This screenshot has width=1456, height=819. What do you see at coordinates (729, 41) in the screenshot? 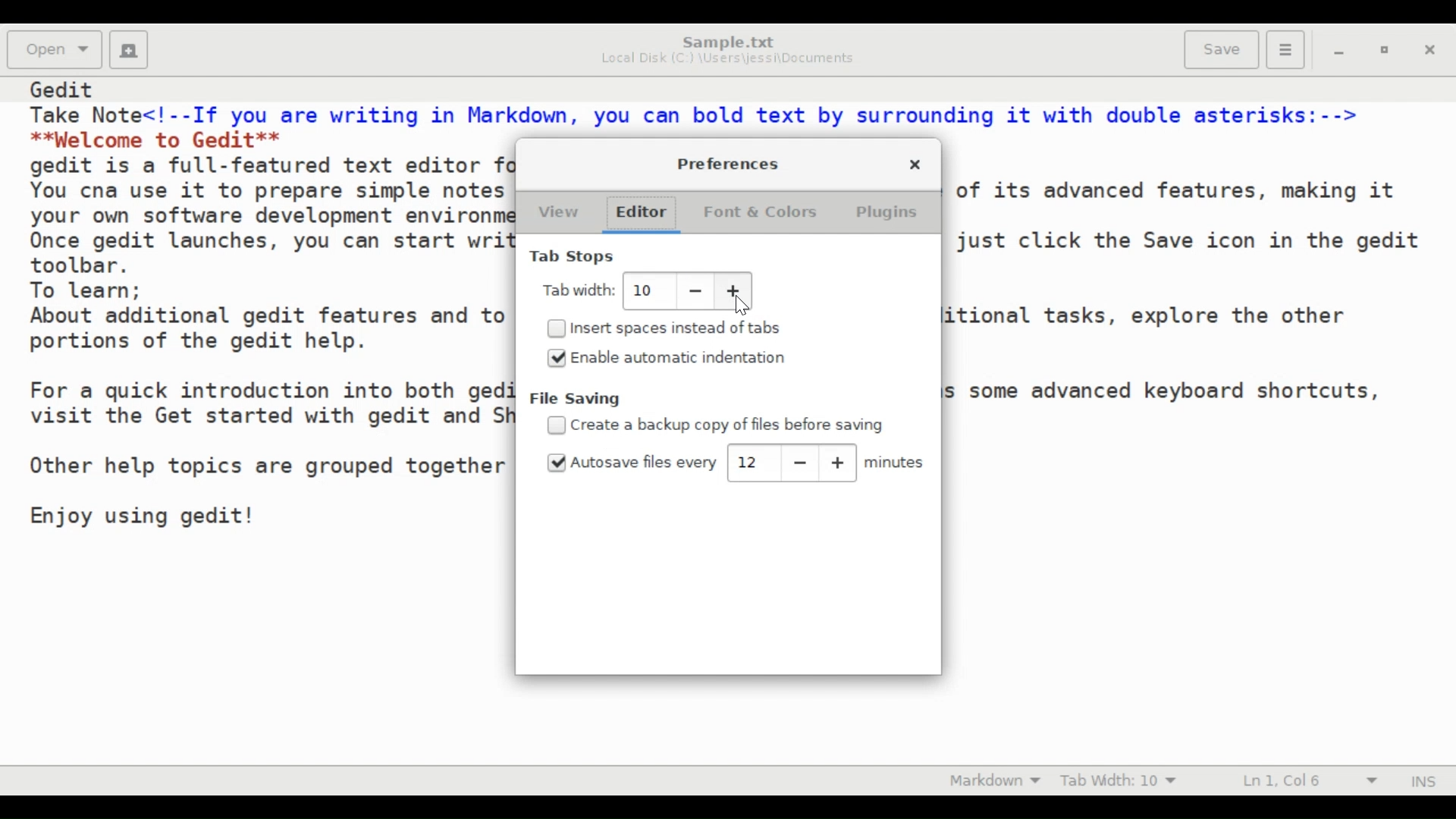
I see `Sample.txt` at bounding box center [729, 41].